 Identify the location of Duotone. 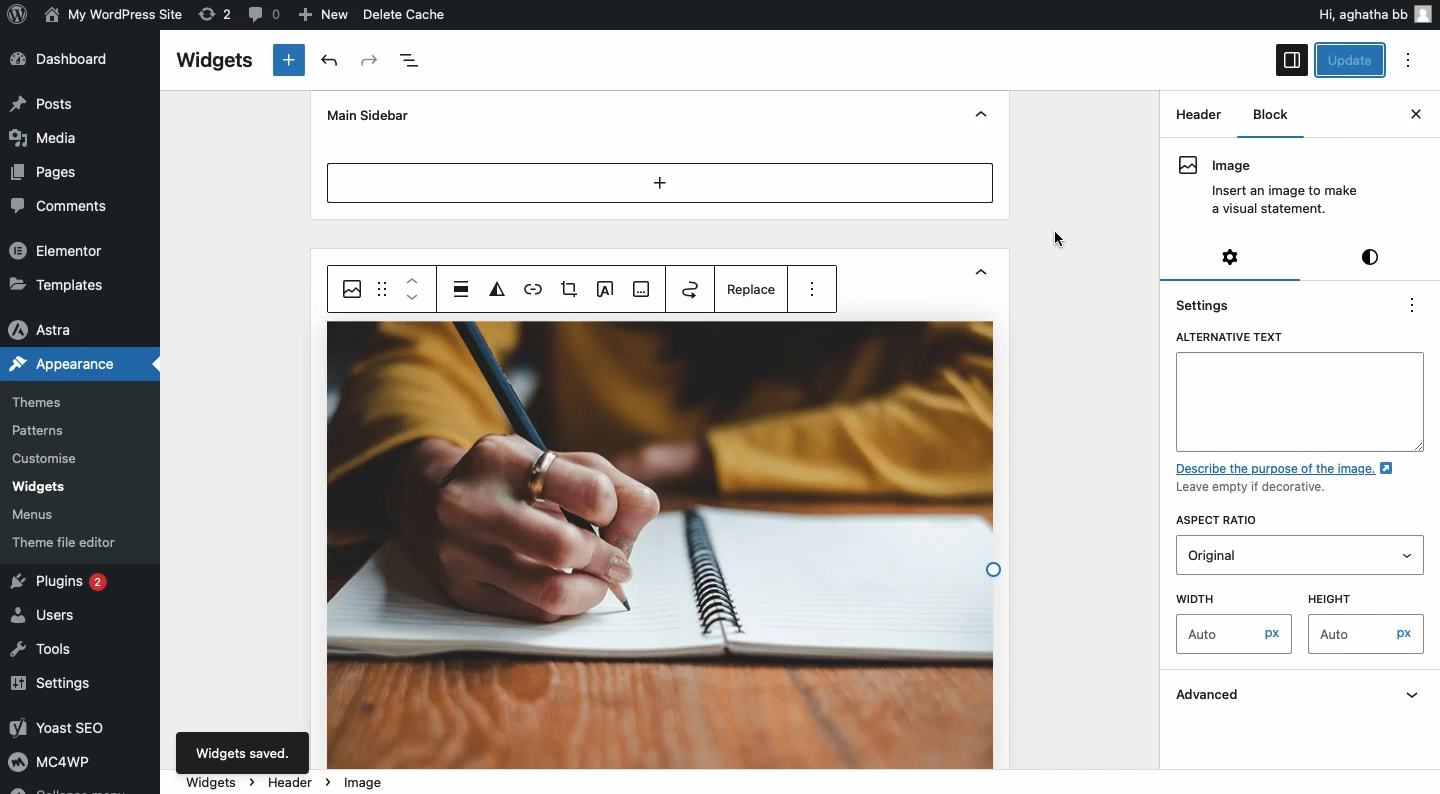
(500, 290).